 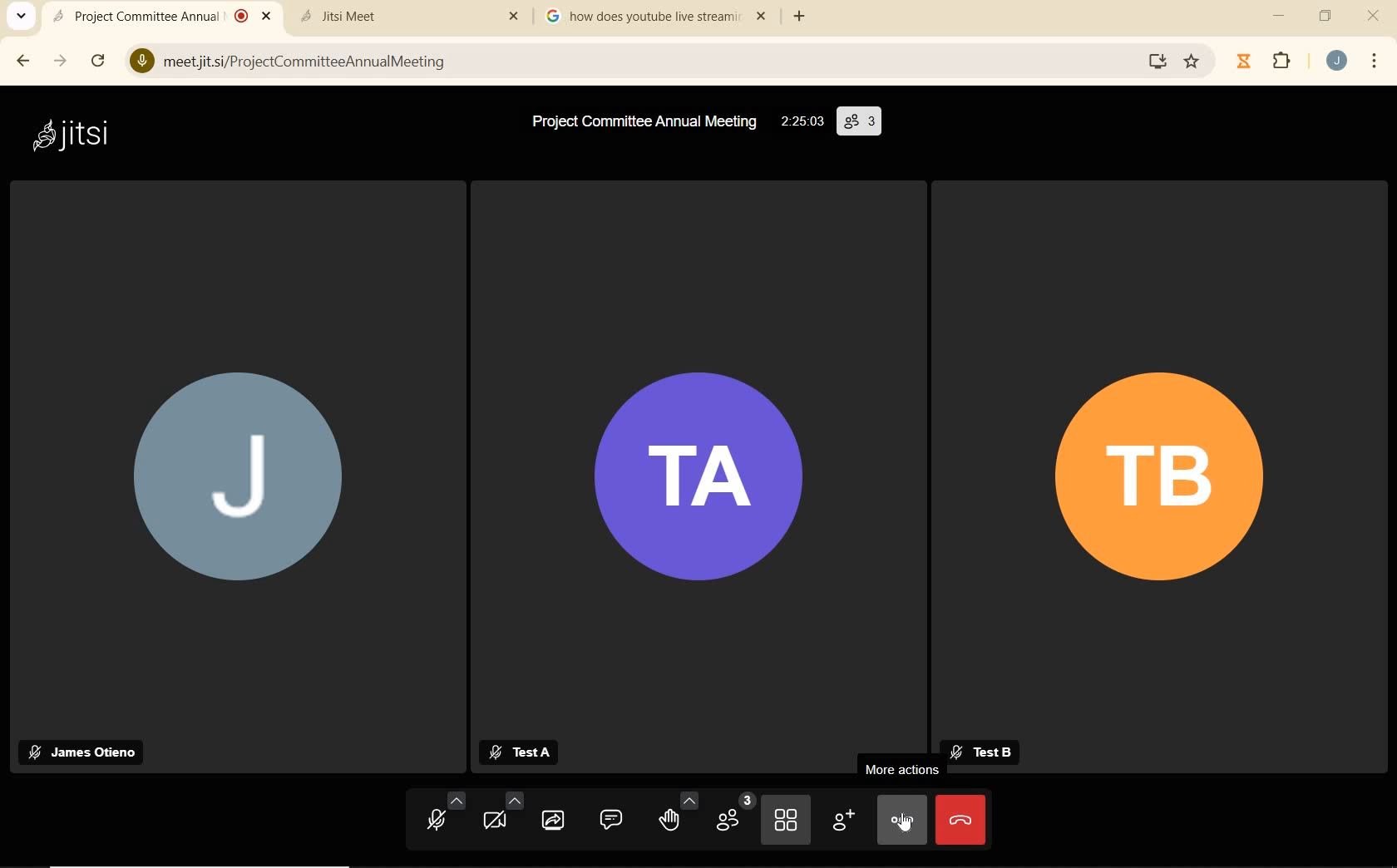 I want to click on tab, so click(x=388, y=16).